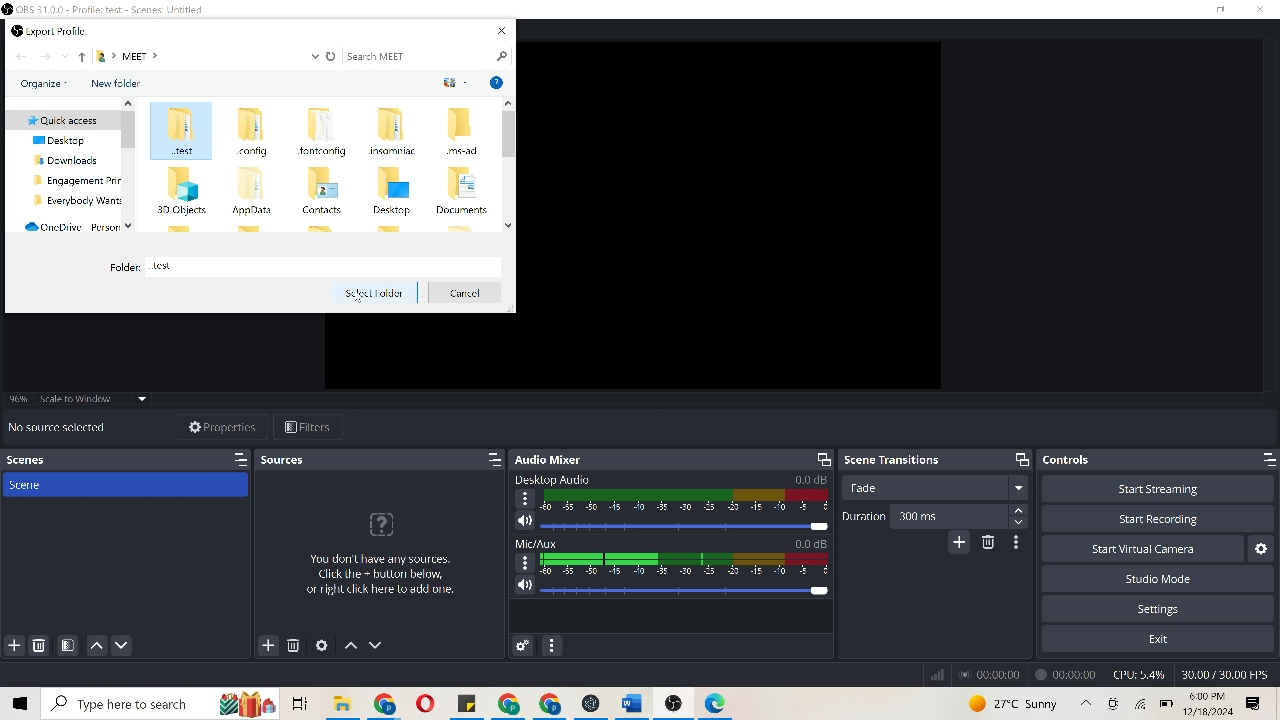 The image size is (1280, 720). Describe the element at coordinates (470, 705) in the screenshot. I see `file` at that location.